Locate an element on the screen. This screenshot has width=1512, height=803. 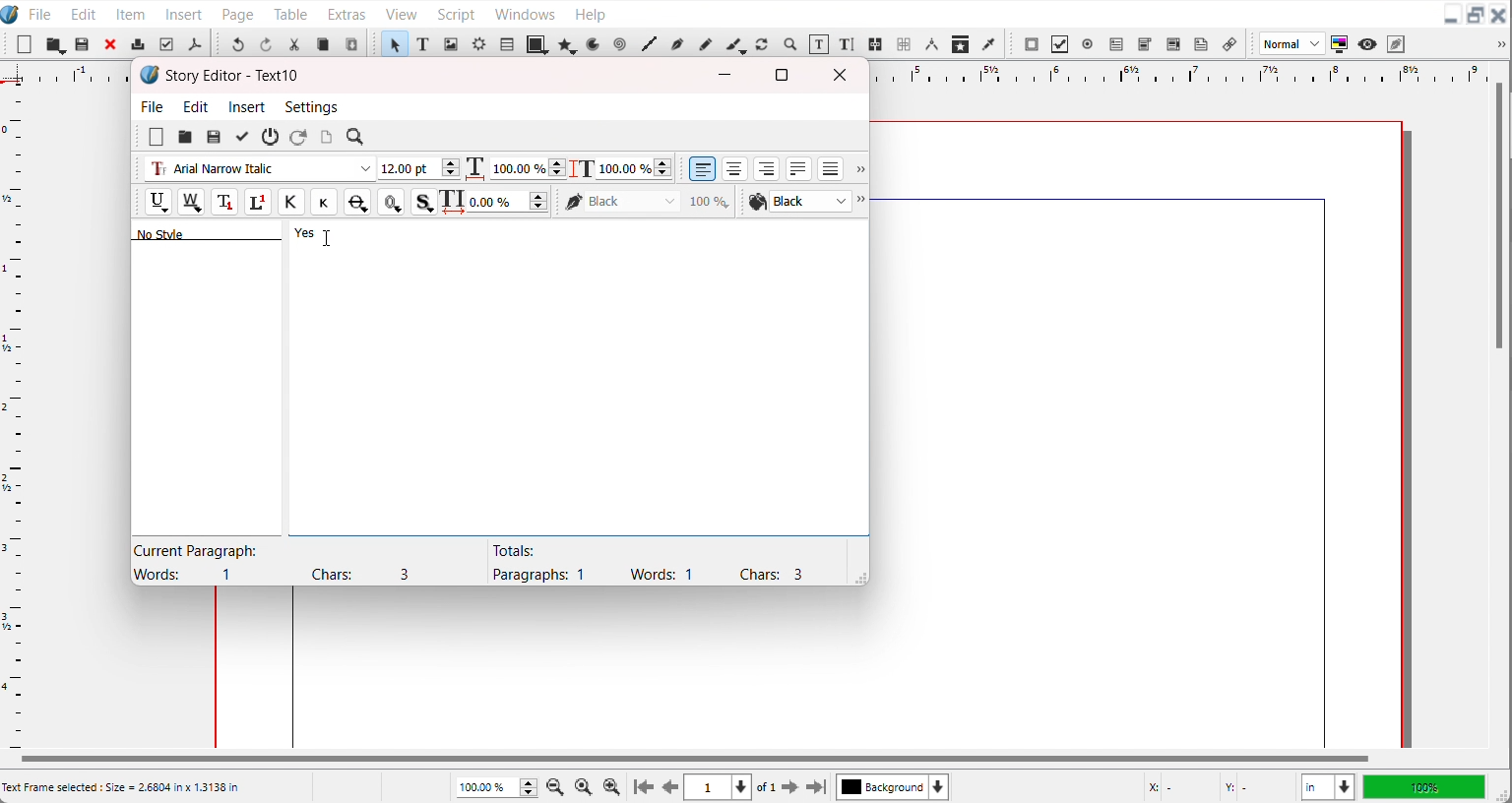
Horizontal scale is located at coordinates (1173, 73).